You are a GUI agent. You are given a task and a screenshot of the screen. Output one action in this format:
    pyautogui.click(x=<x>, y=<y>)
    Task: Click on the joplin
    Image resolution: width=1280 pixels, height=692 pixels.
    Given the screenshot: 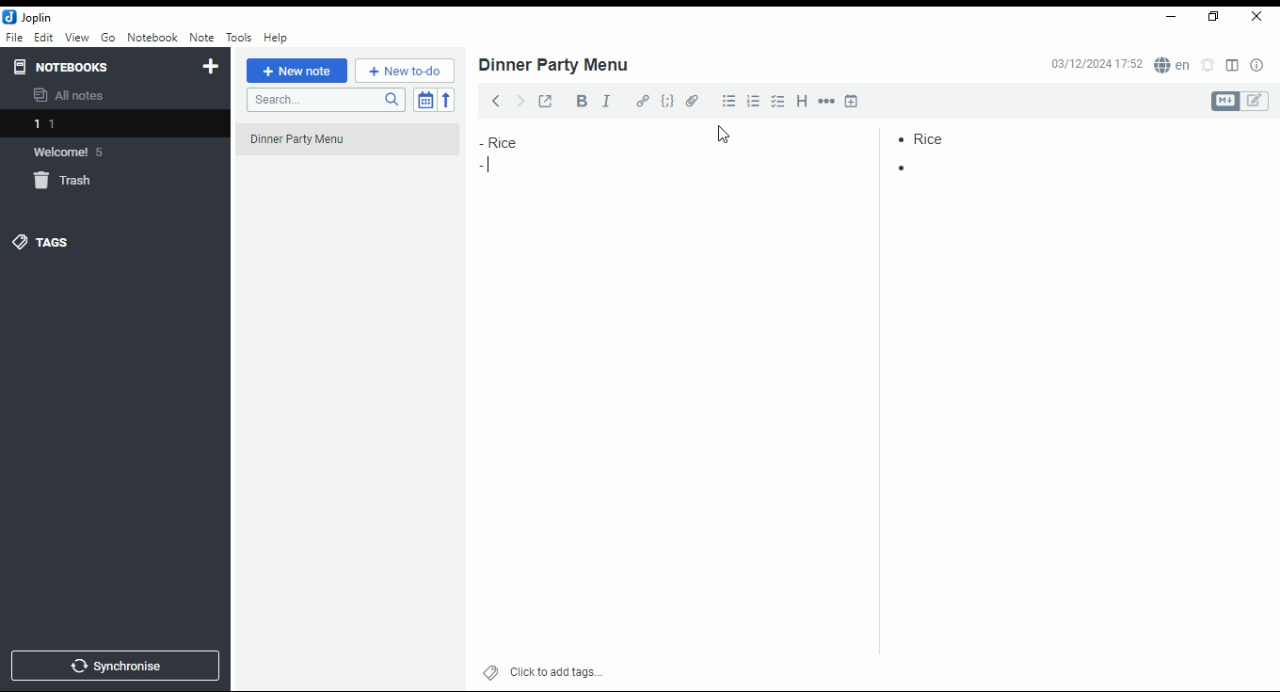 What is the action you would take?
    pyautogui.click(x=29, y=17)
    